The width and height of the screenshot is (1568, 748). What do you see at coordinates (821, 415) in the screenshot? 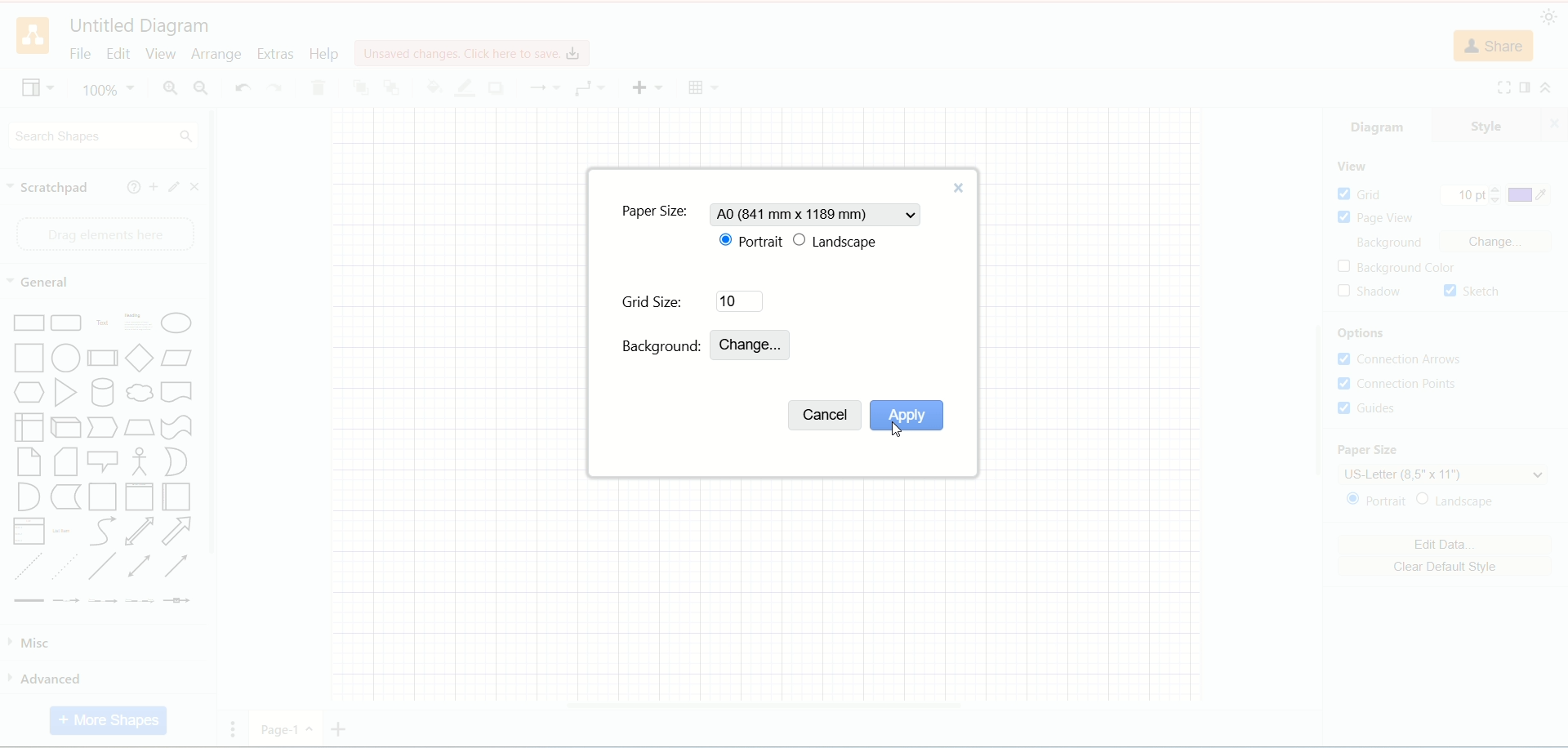
I see `cancel` at bounding box center [821, 415].